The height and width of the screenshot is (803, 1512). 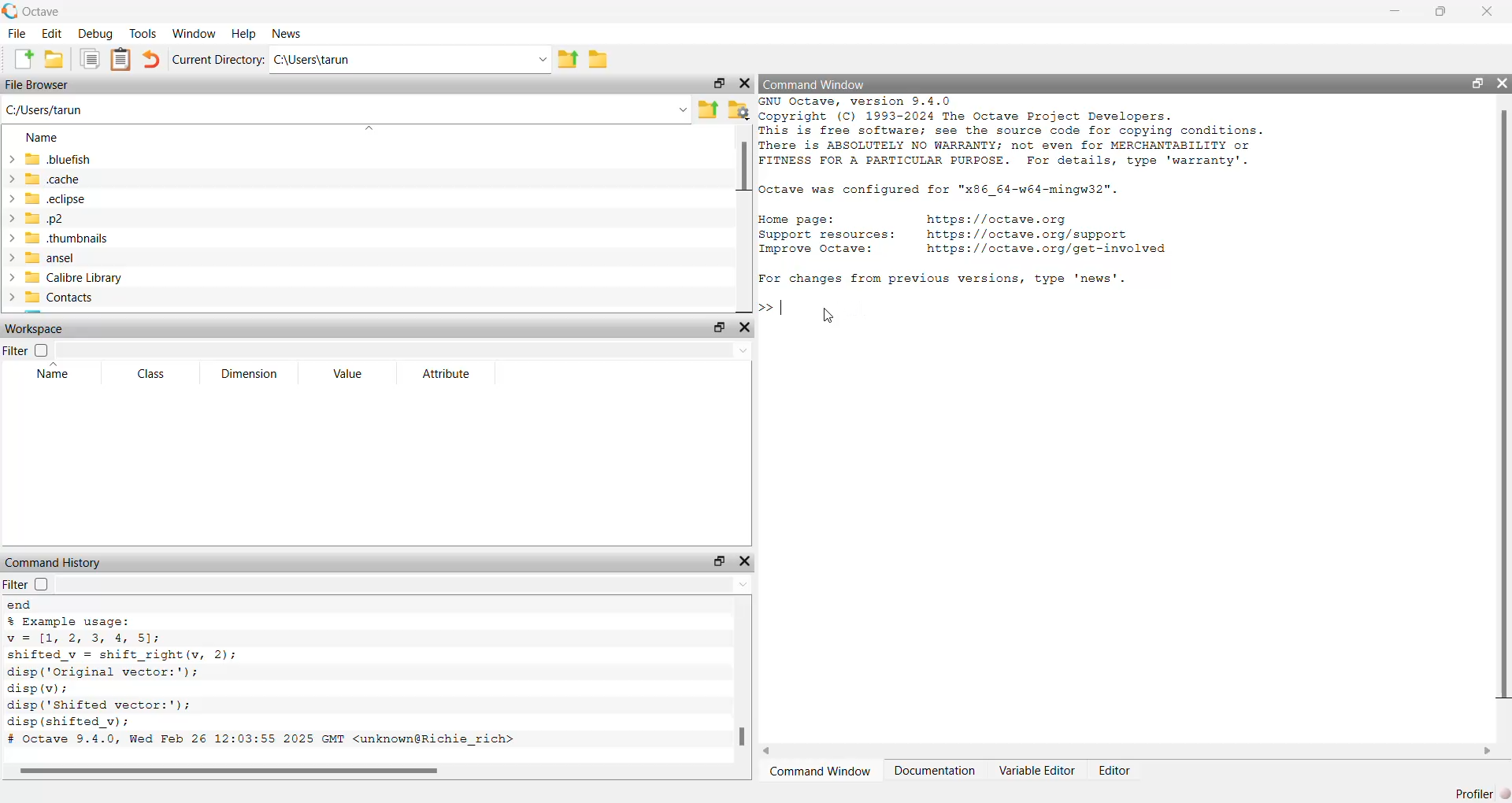 I want to click on editor, so click(x=1121, y=772).